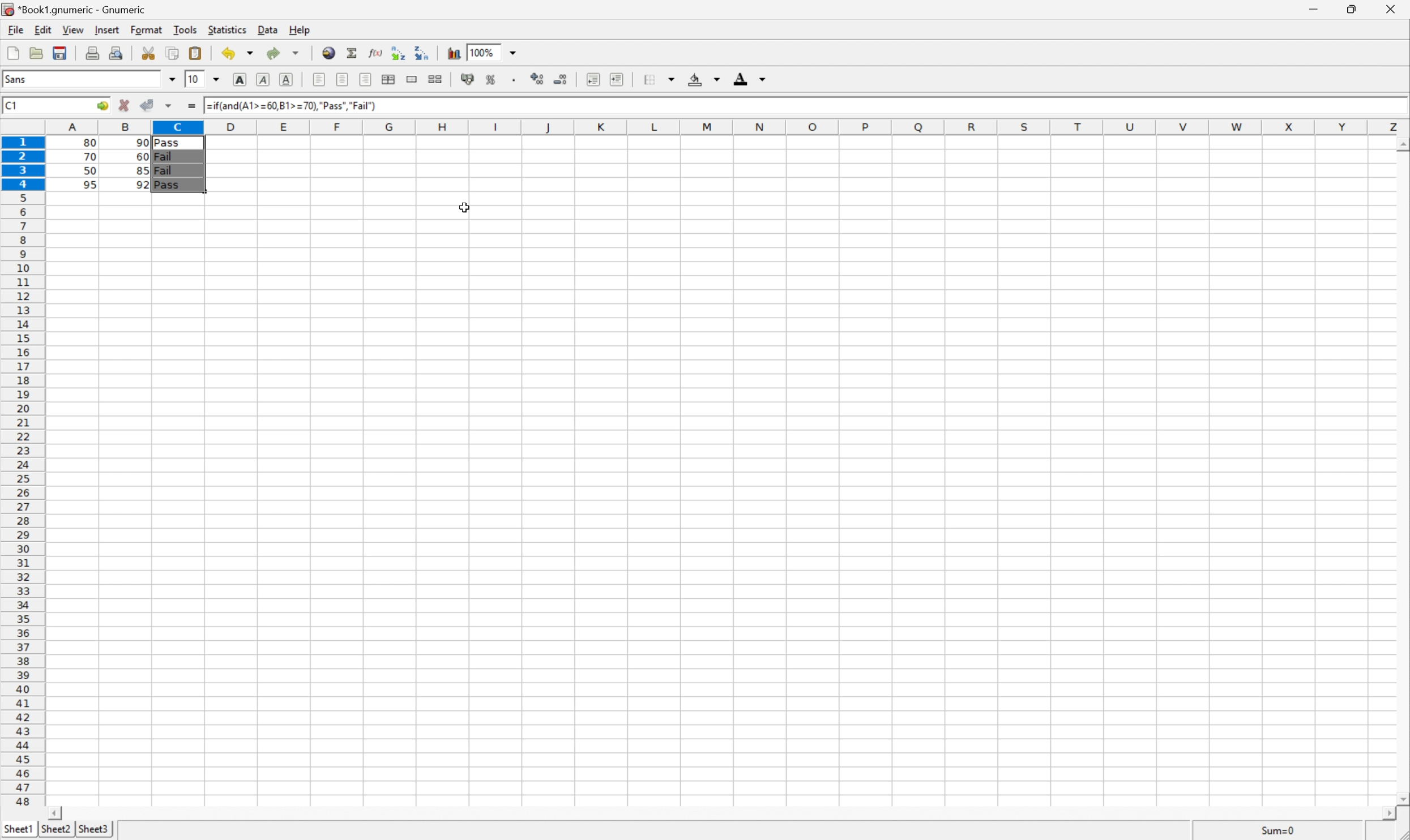 This screenshot has height=840, width=1410. What do you see at coordinates (229, 31) in the screenshot?
I see `Statistics` at bounding box center [229, 31].